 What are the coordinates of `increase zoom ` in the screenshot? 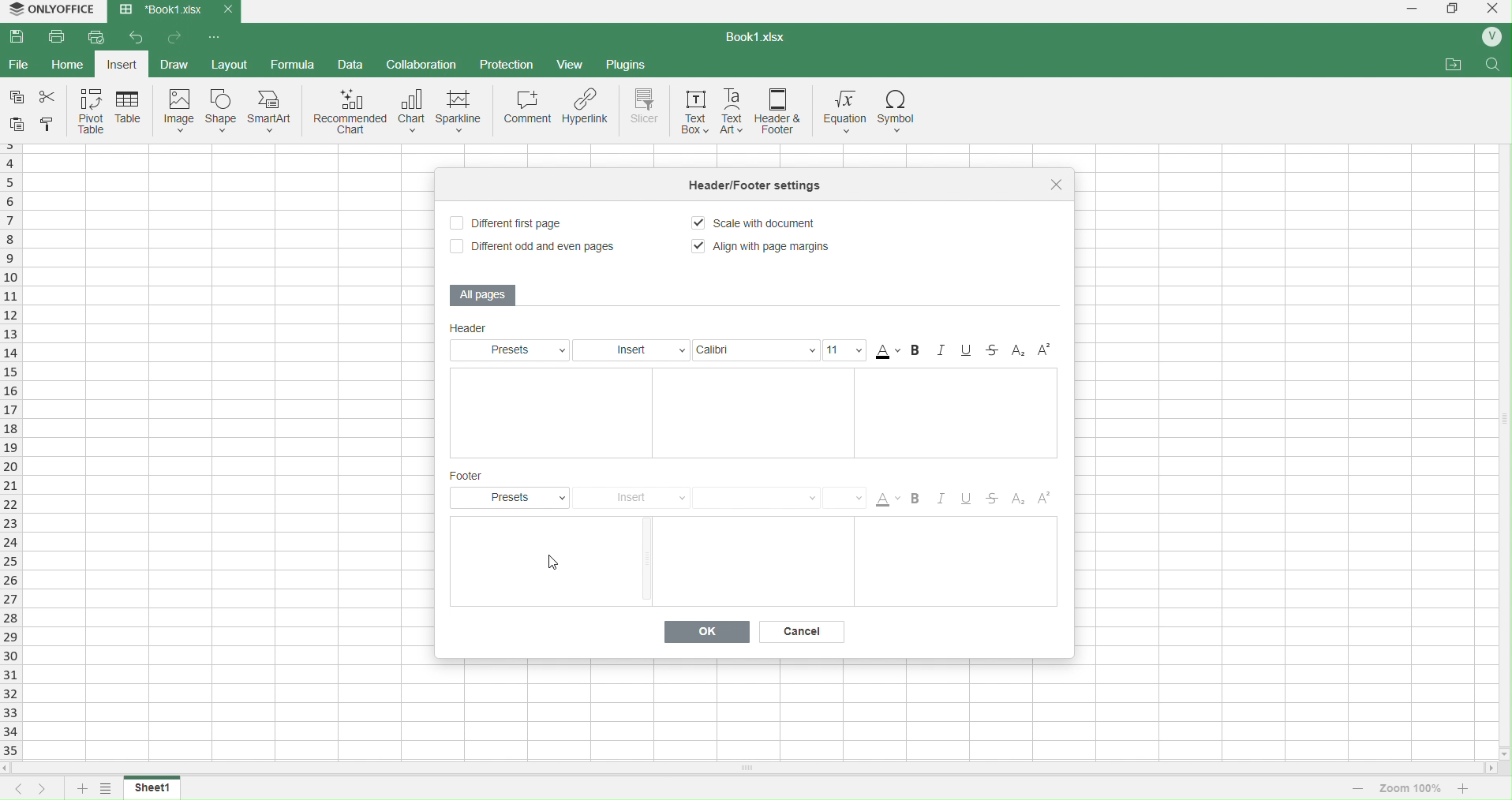 It's located at (1466, 787).